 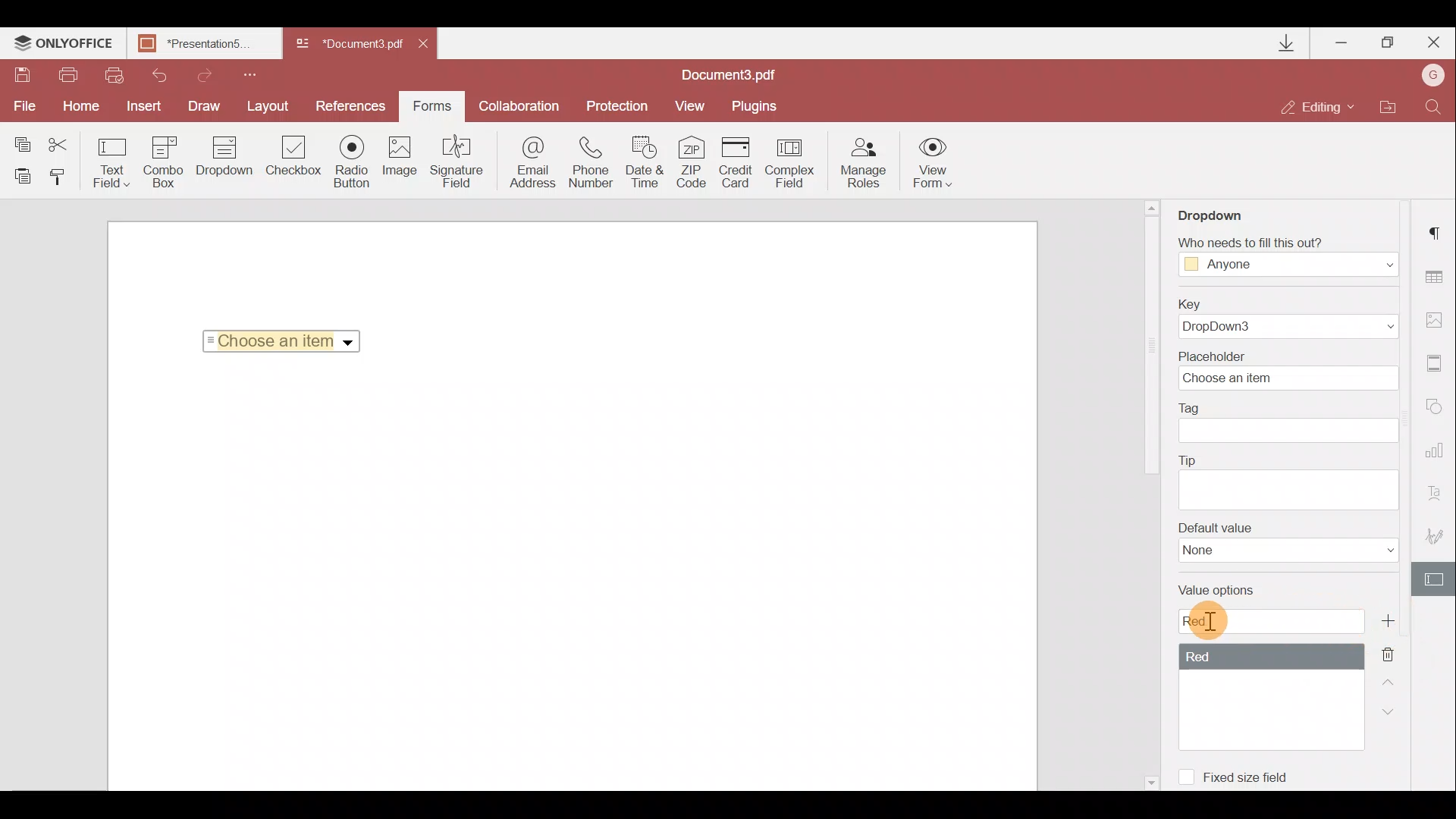 What do you see at coordinates (593, 162) in the screenshot?
I see `Phone number` at bounding box center [593, 162].